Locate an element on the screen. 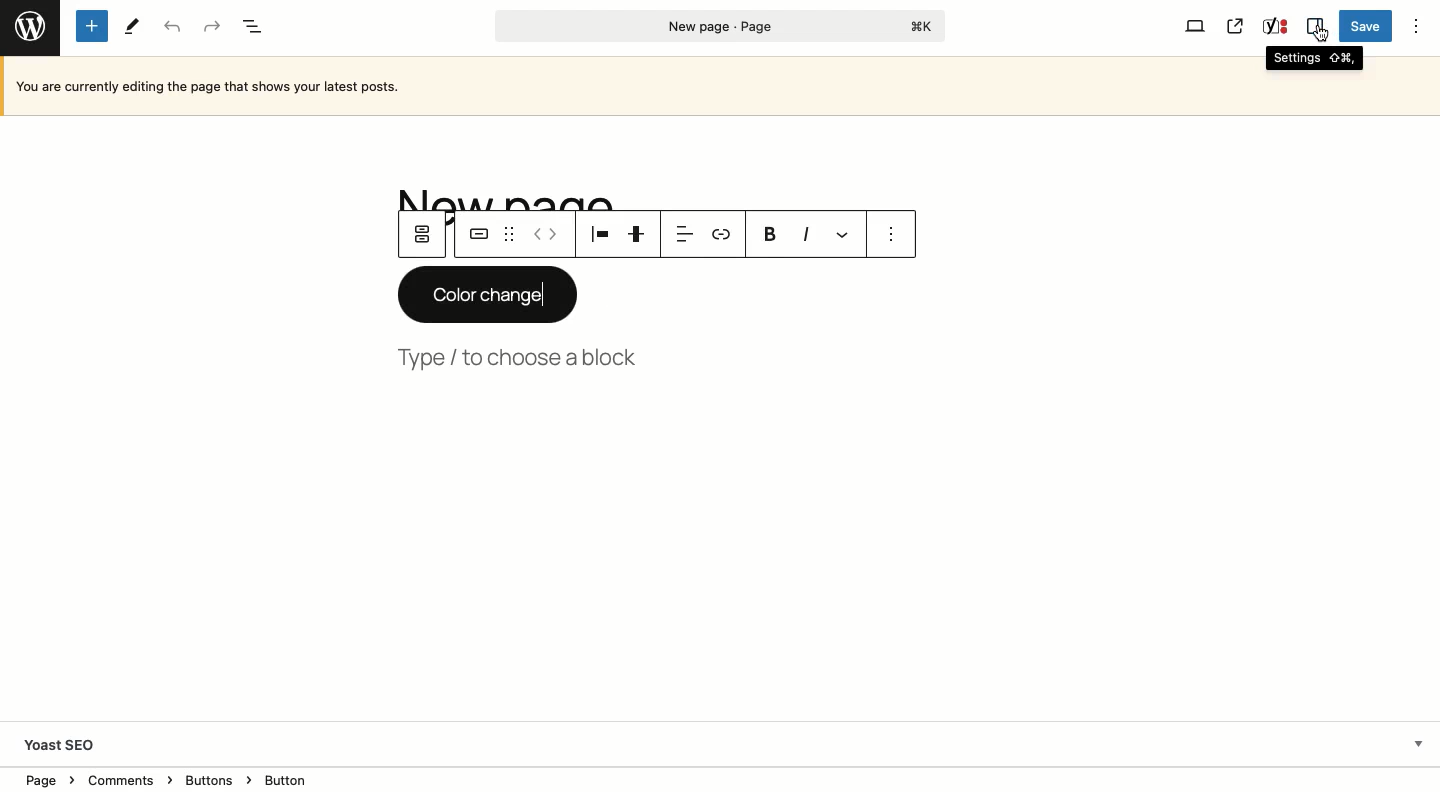 The width and height of the screenshot is (1440, 792). Tools is located at coordinates (133, 26).